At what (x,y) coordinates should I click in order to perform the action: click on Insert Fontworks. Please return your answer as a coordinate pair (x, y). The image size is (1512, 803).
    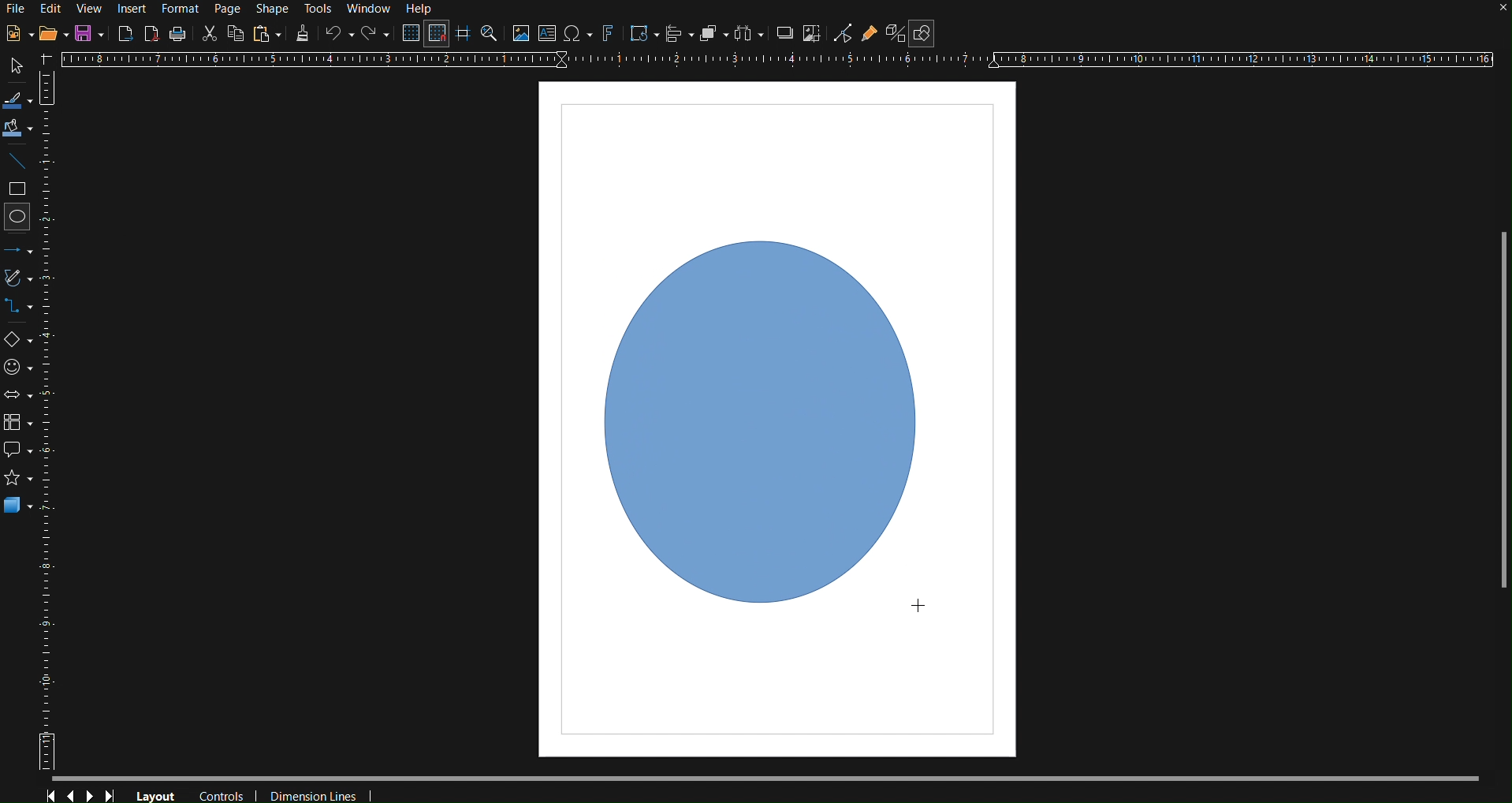
    Looking at the image, I should click on (608, 35).